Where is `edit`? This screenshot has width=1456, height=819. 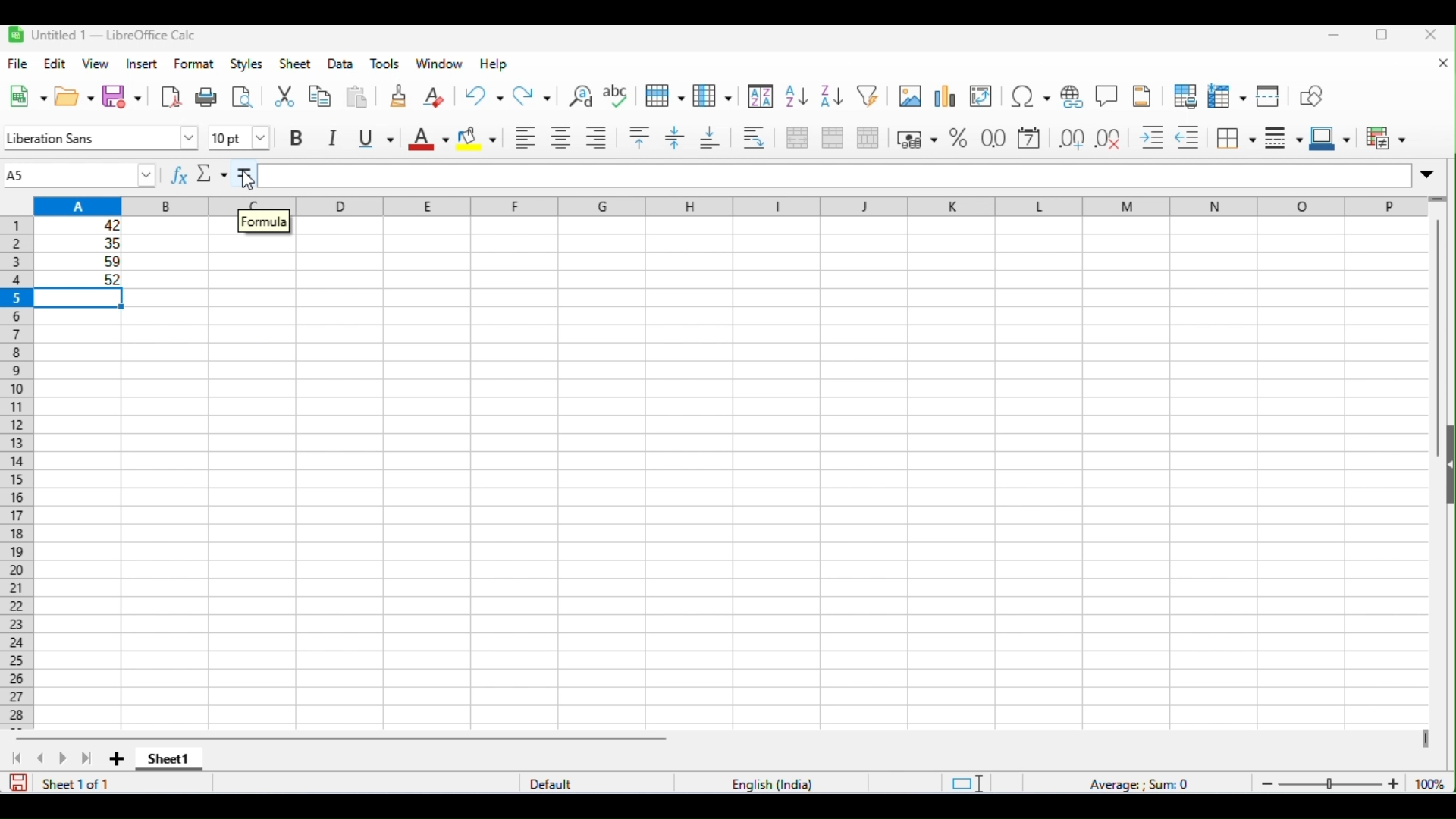
edit is located at coordinates (56, 65).